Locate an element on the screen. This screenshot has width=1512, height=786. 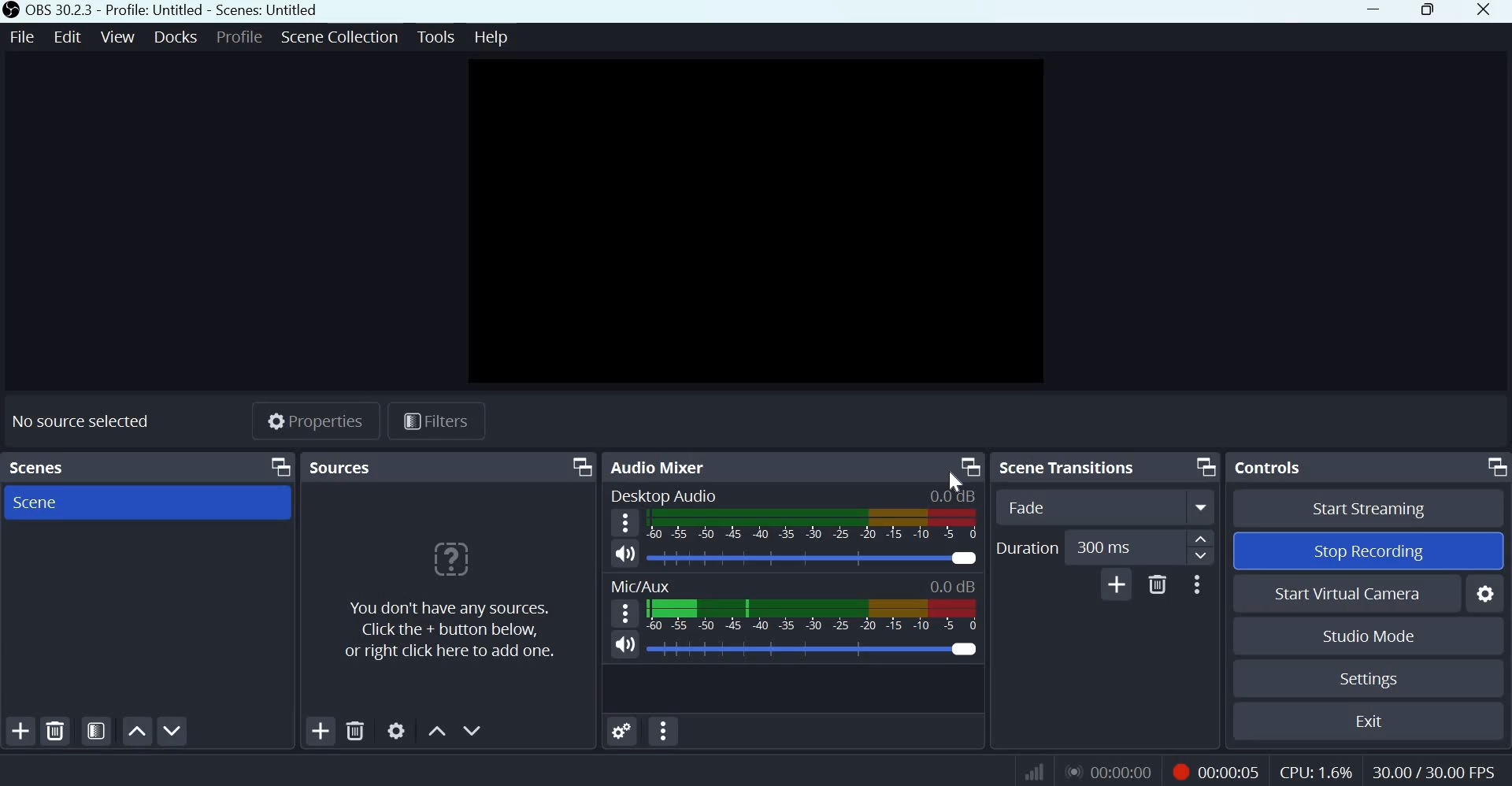
Increase is located at coordinates (1203, 538).